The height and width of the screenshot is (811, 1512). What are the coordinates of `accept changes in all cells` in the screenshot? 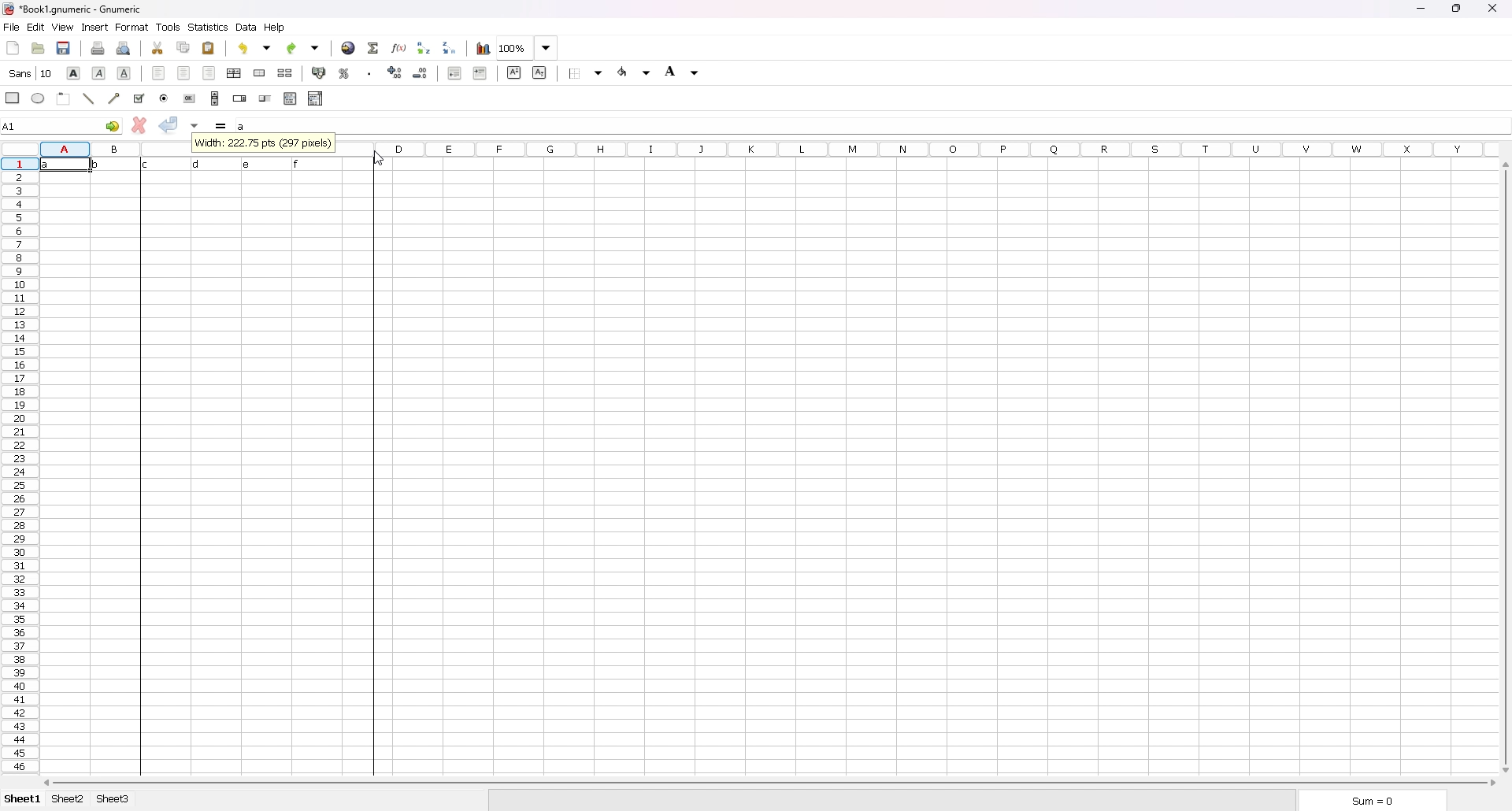 It's located at (196, 126).